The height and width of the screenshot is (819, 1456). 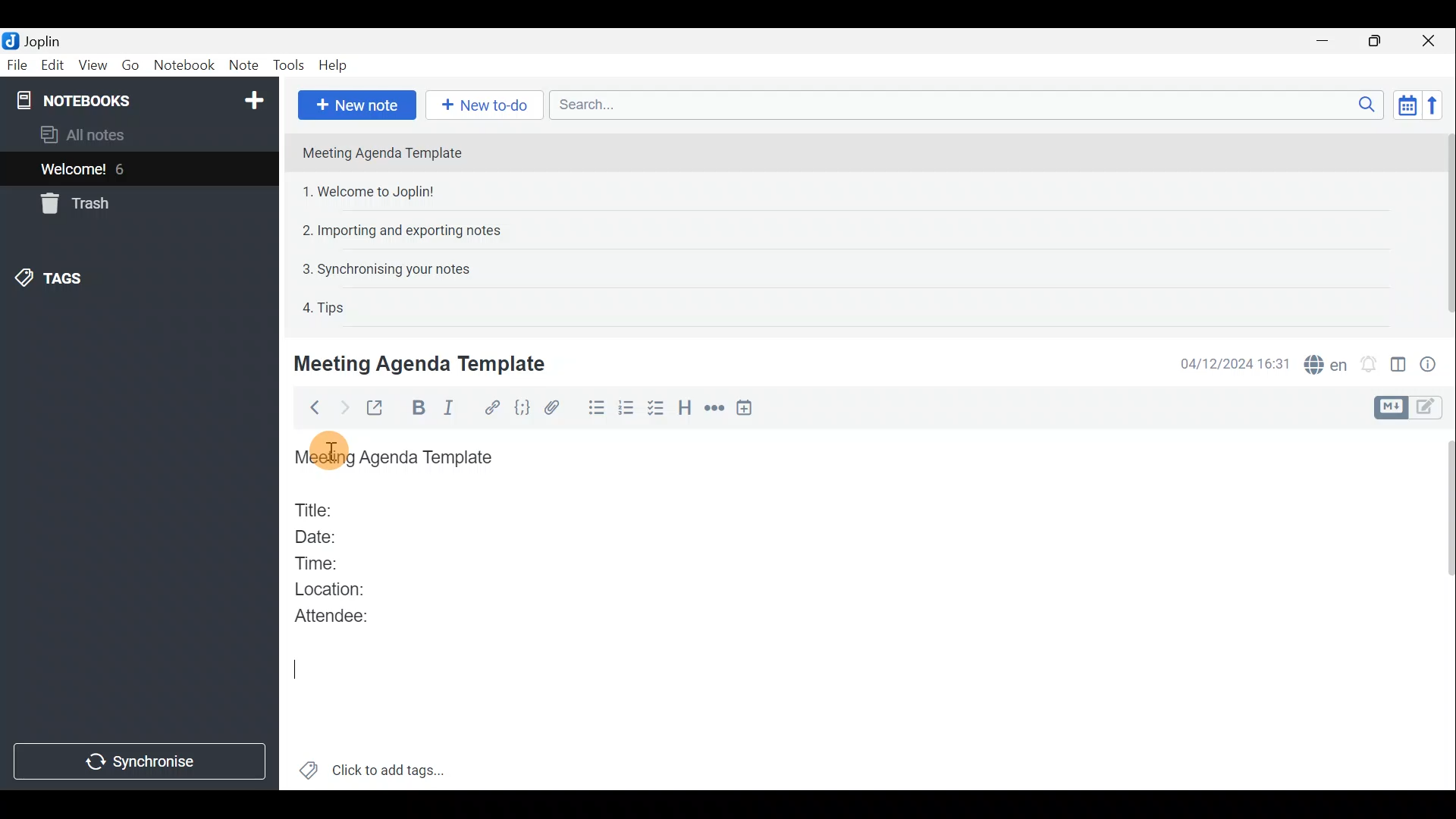 I want to click on Welcome!, so click(x=74, y=171).